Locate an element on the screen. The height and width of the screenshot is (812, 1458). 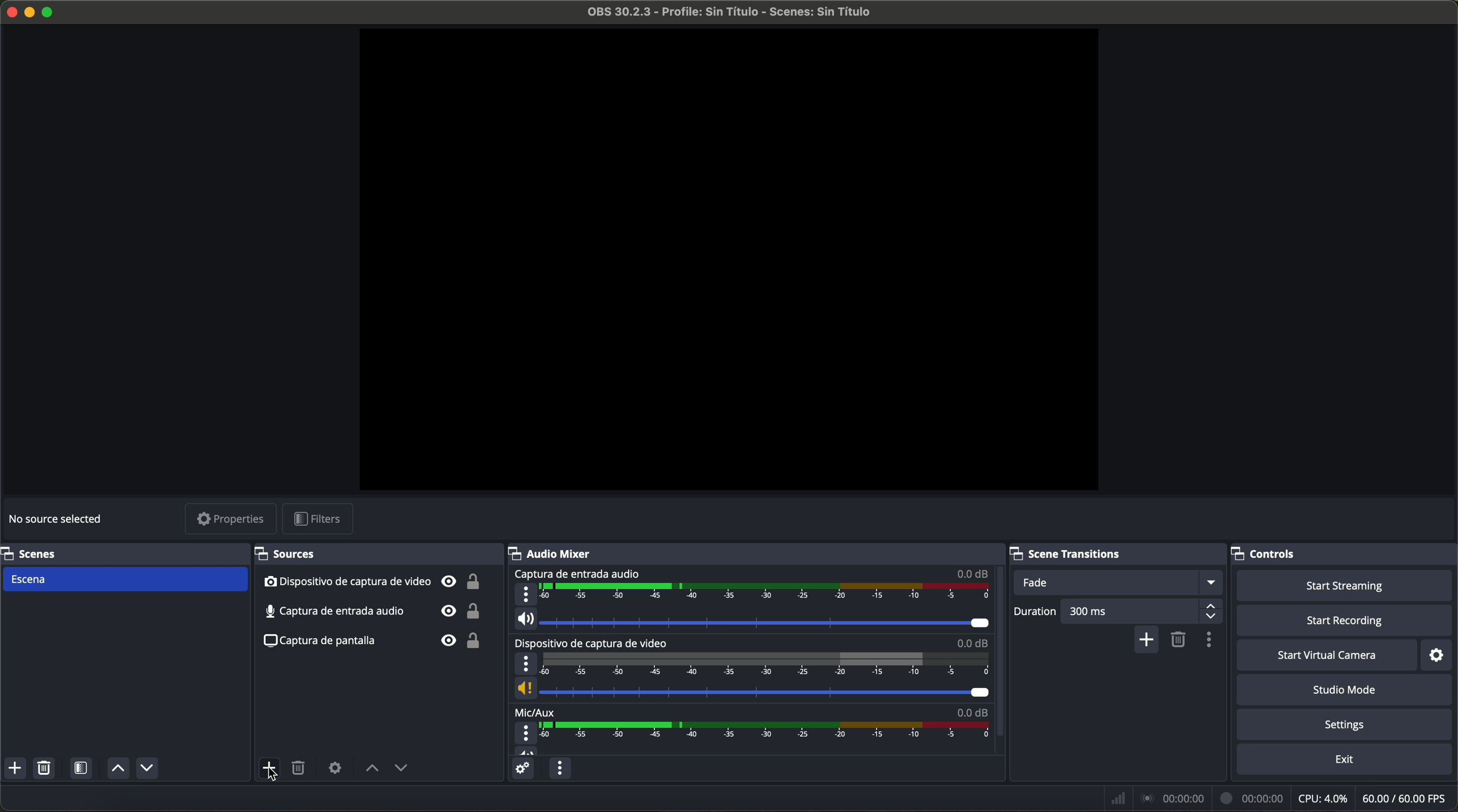
scenes is located at coordinates (31, 553).